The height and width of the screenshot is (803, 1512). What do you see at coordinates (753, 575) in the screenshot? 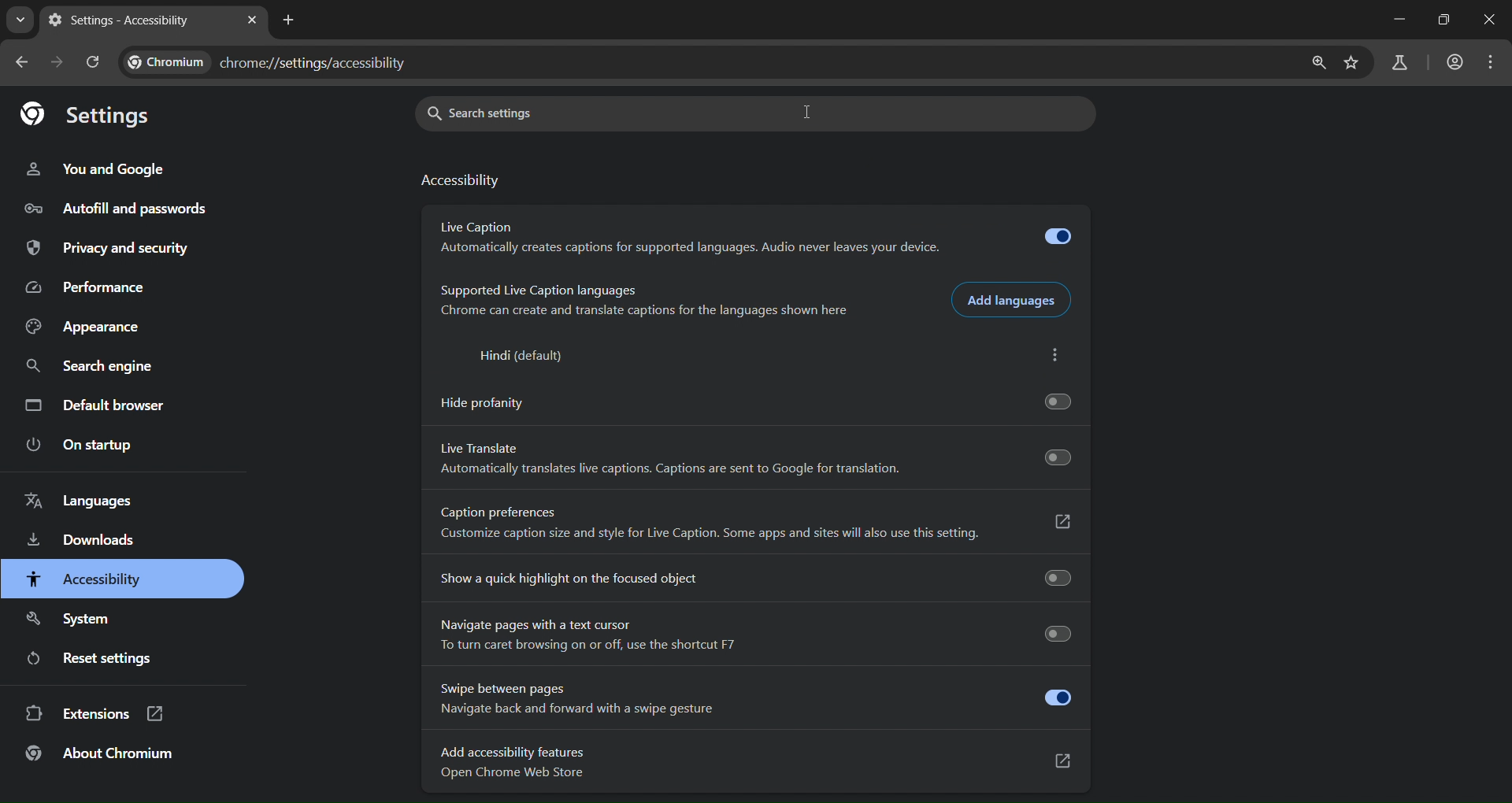
I see `show a quick highlight on the focused object` at bounding box center [753, 575].